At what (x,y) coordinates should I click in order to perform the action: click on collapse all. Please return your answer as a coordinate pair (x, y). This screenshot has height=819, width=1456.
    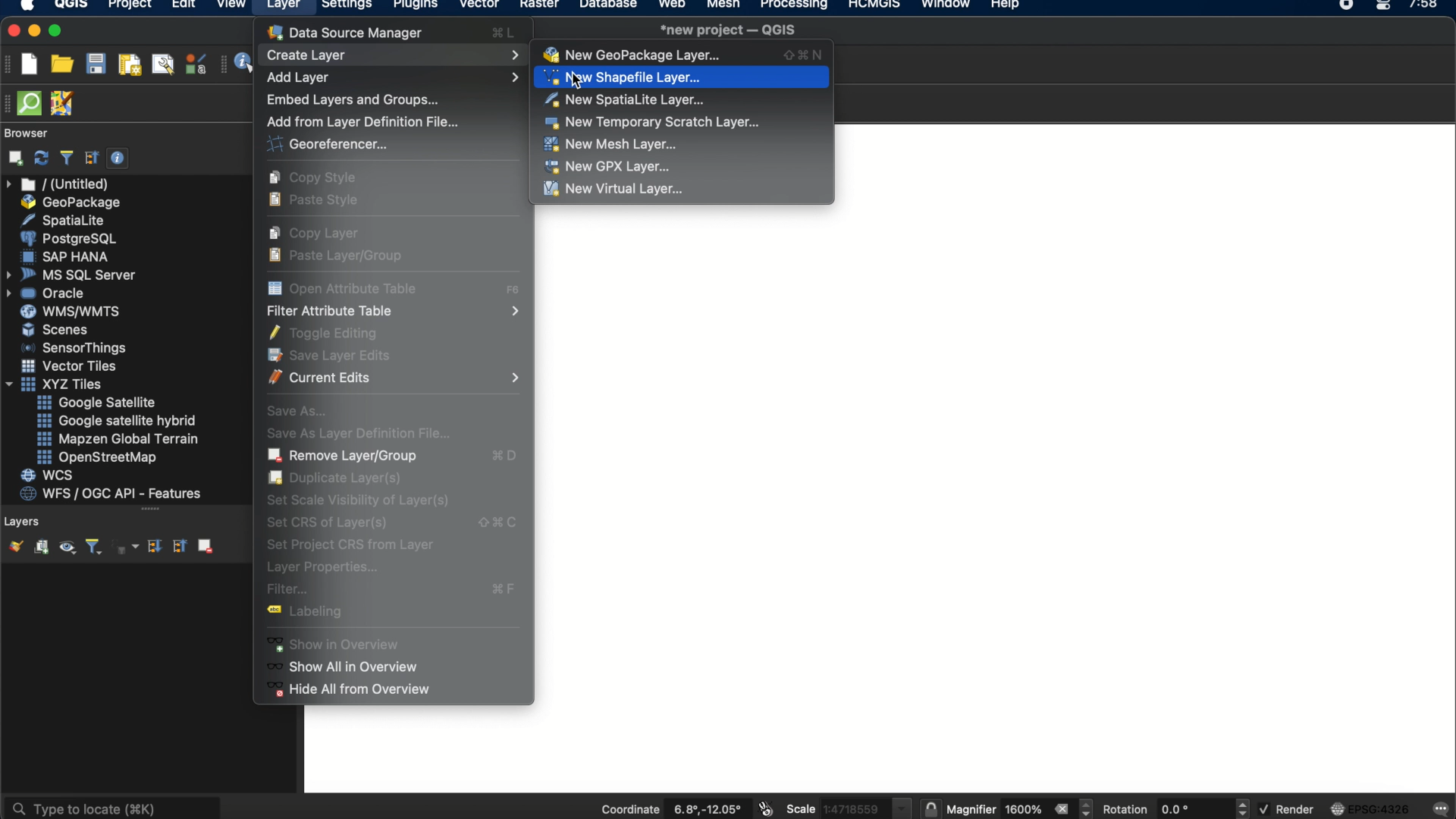
    Looking at the image, I should click on (92, 158).